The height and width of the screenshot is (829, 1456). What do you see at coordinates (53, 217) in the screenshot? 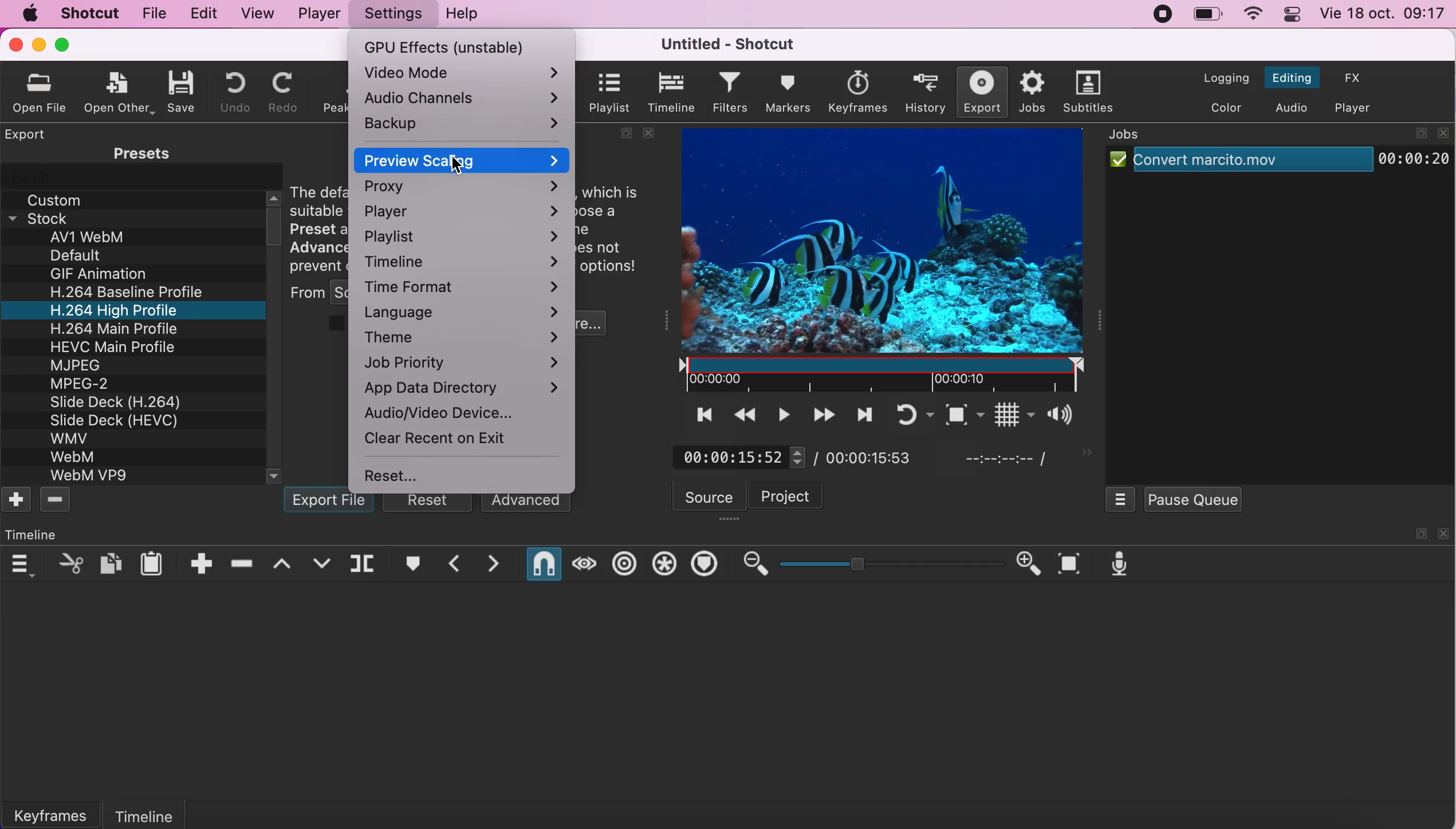
I see `stock` at bounding box center [53, 217].